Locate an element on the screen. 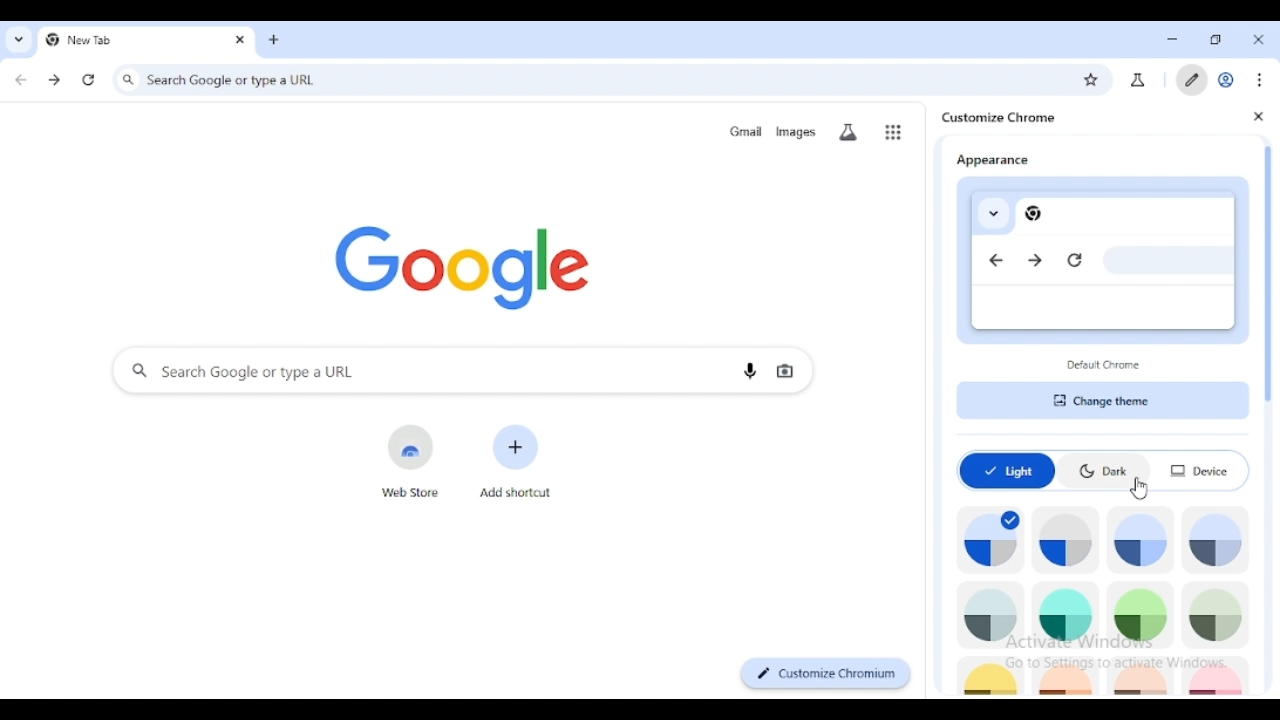 The width and height of the screenshot is (1280, 720). reload this page is located at coordinates (88, 80).